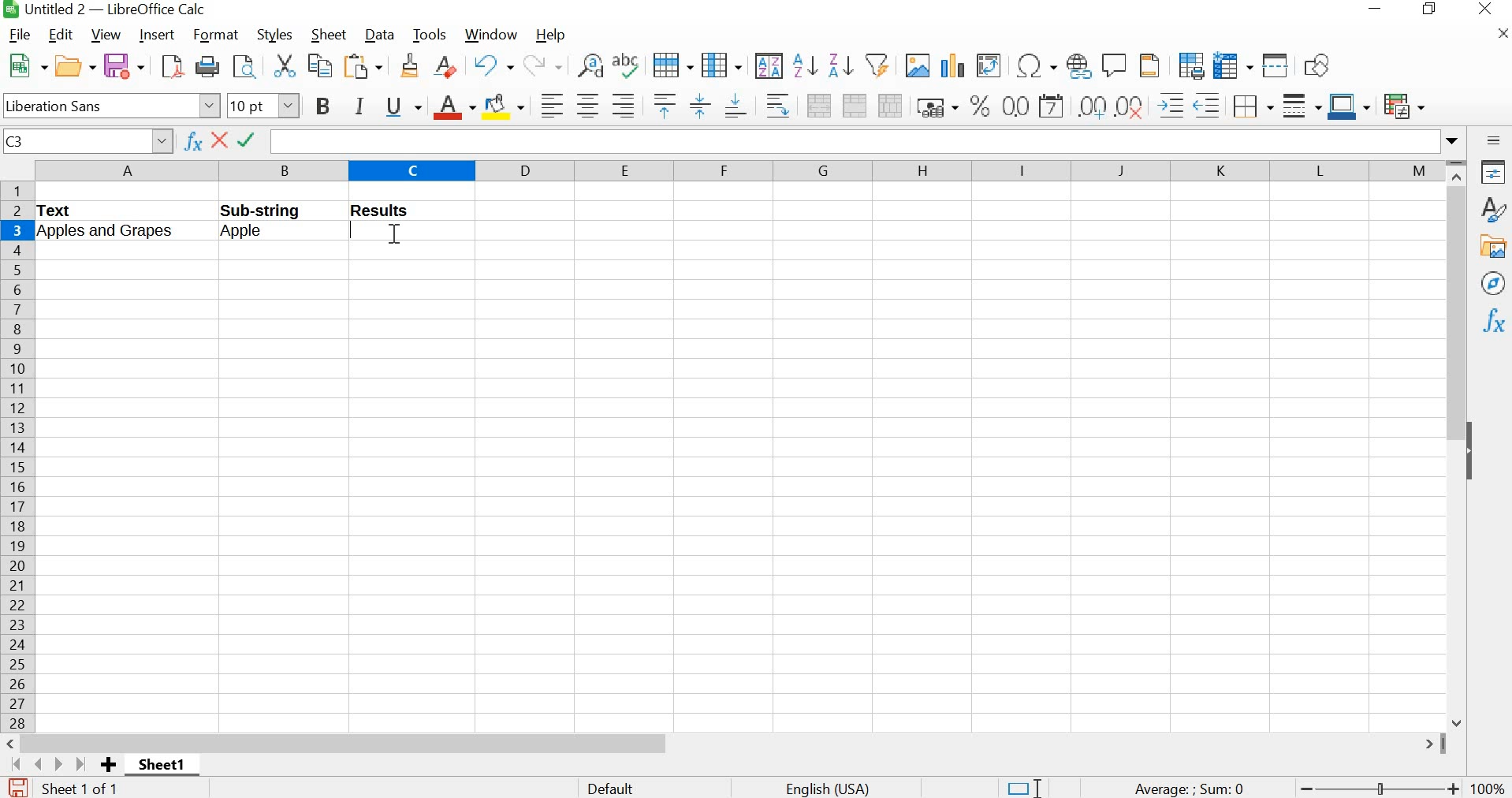 The width and height of the screenshot is (1512, 798). I want to click on font size, so click(263, 105).